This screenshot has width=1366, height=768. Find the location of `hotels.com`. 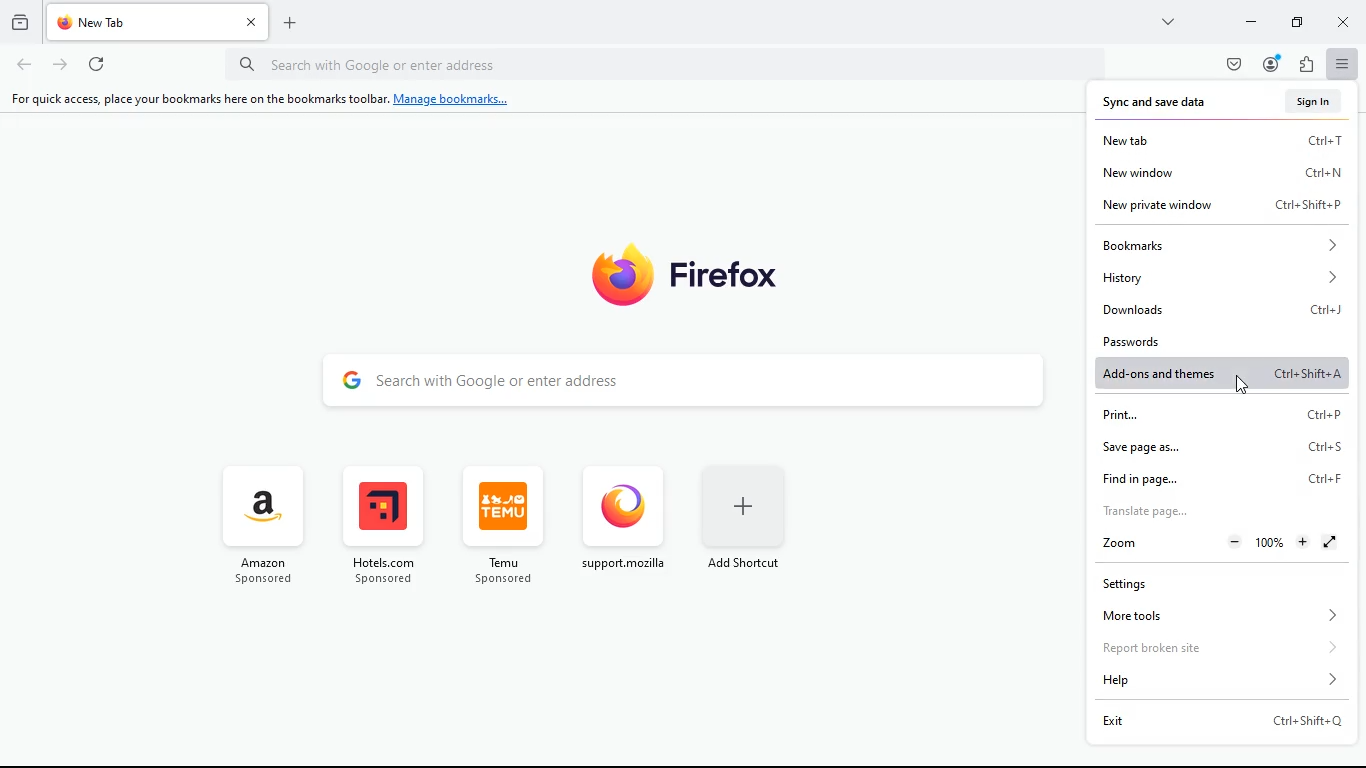

hotels.com is located at coordinates (381, 529).